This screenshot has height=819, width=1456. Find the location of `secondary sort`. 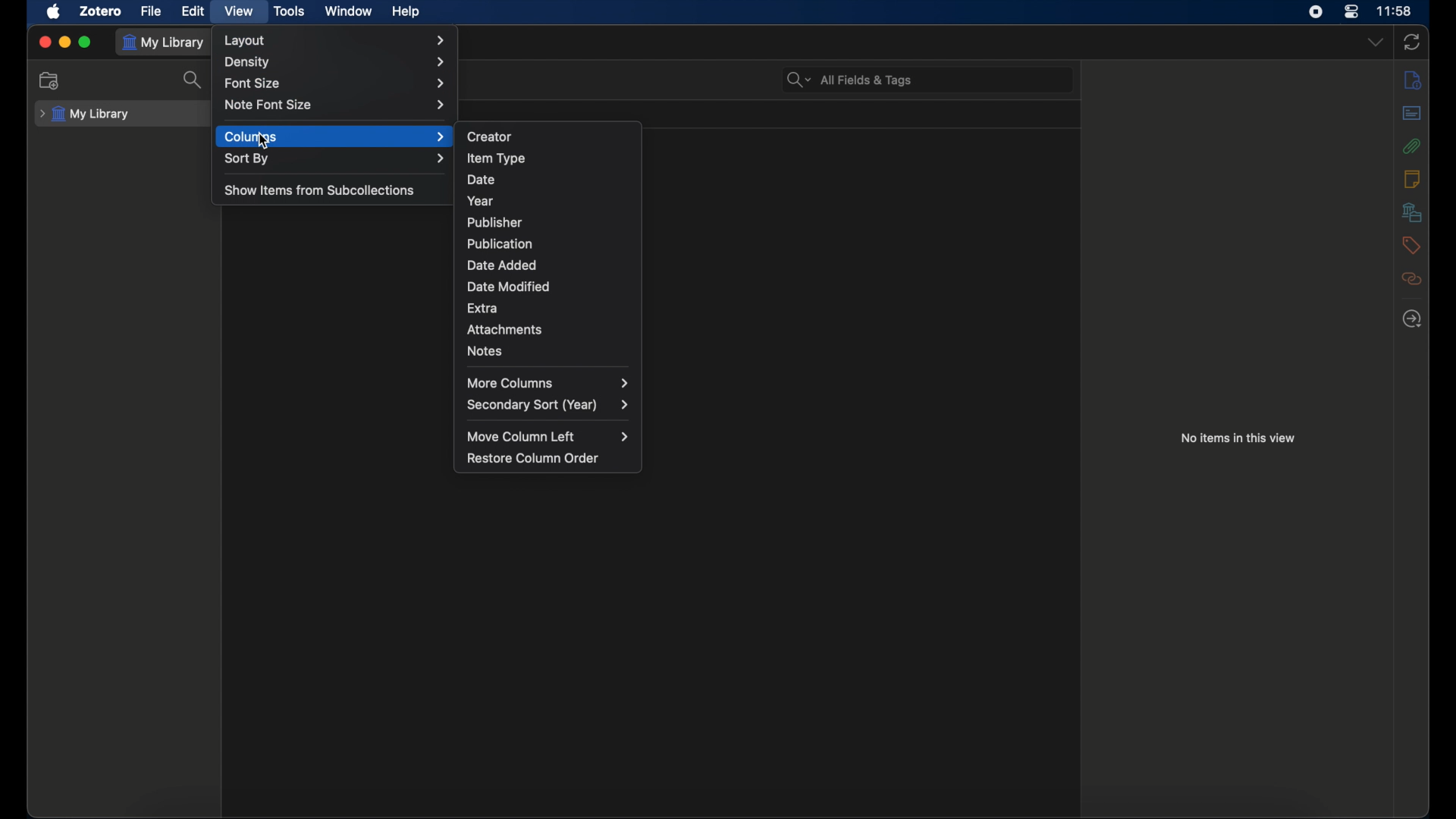

secondary sort is located at coordinates (547, 404).